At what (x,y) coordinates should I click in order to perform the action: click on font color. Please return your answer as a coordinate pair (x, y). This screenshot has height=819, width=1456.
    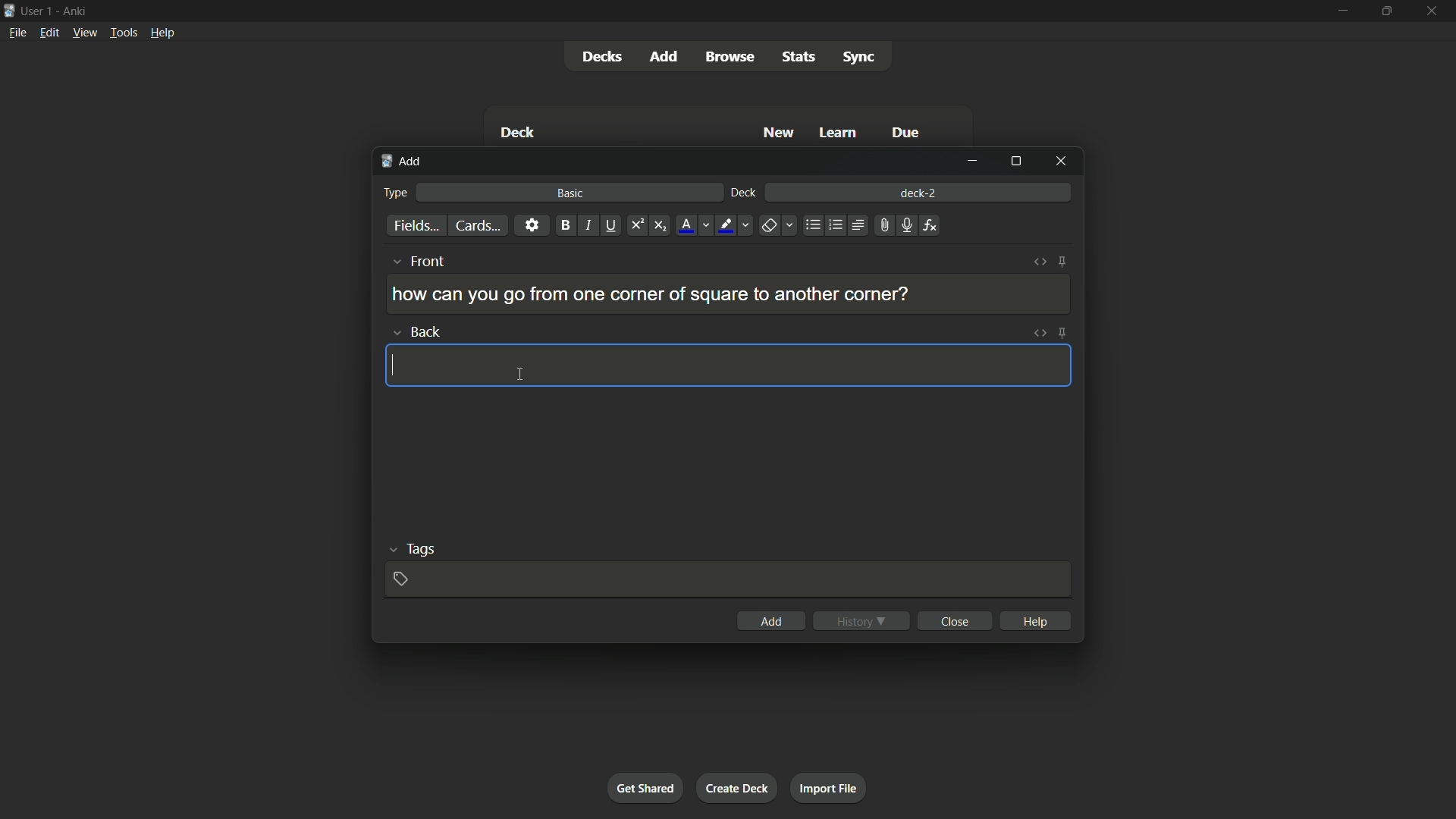
    Looking at the image, I should click on (693, 224).